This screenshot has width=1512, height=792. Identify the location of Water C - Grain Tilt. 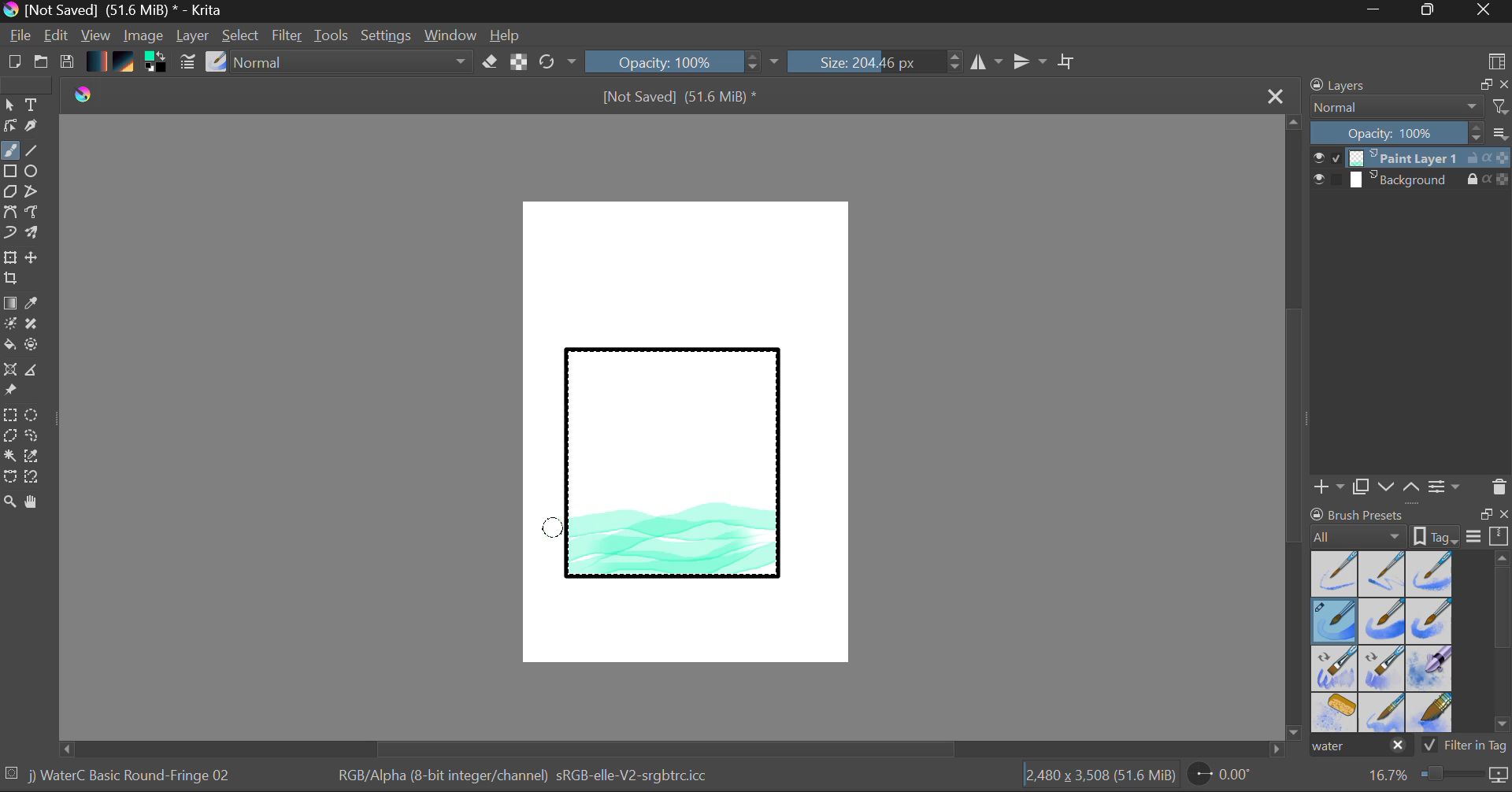
(1336, 668).